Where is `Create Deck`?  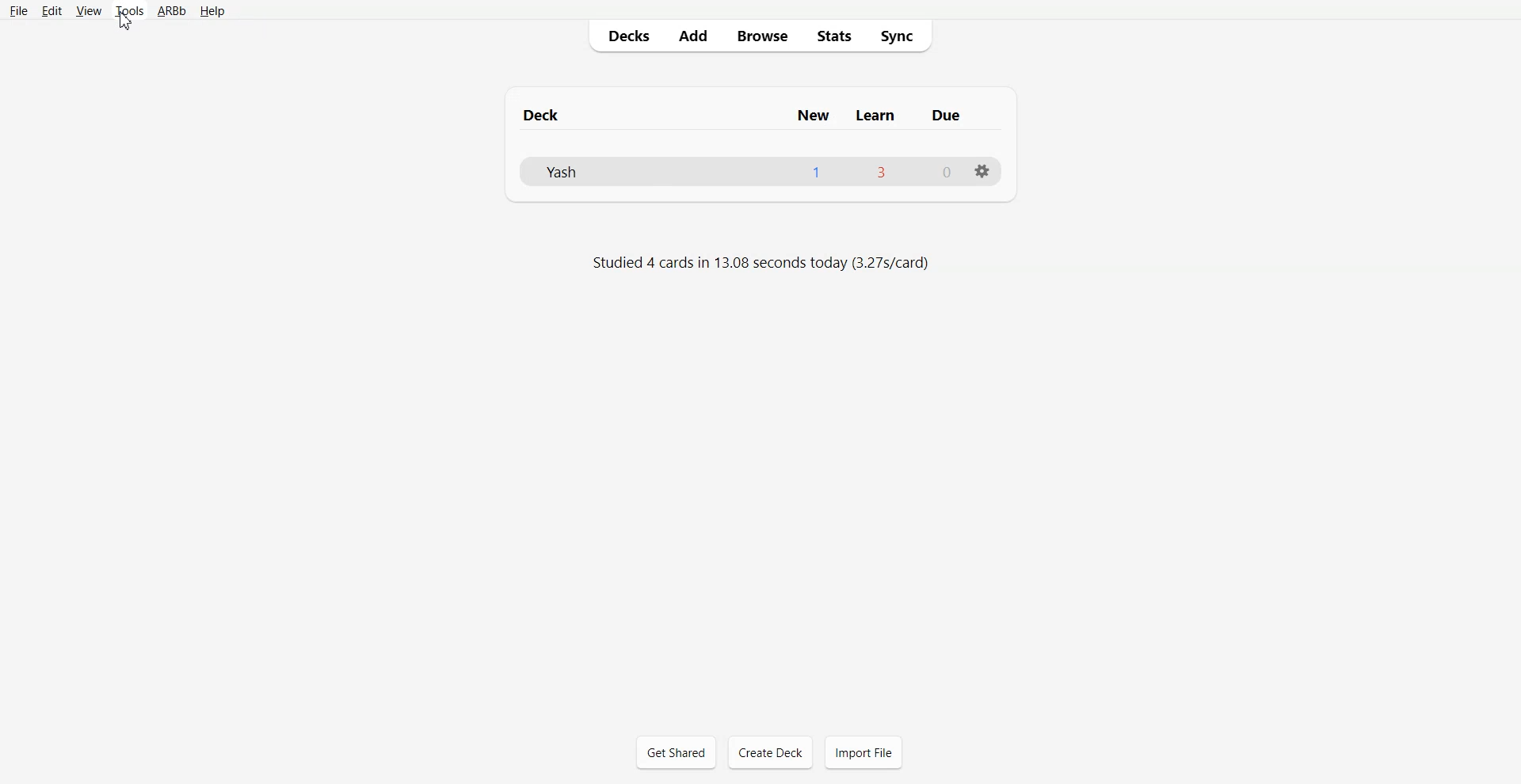 Create Deck is located at coordinates (771, 752).